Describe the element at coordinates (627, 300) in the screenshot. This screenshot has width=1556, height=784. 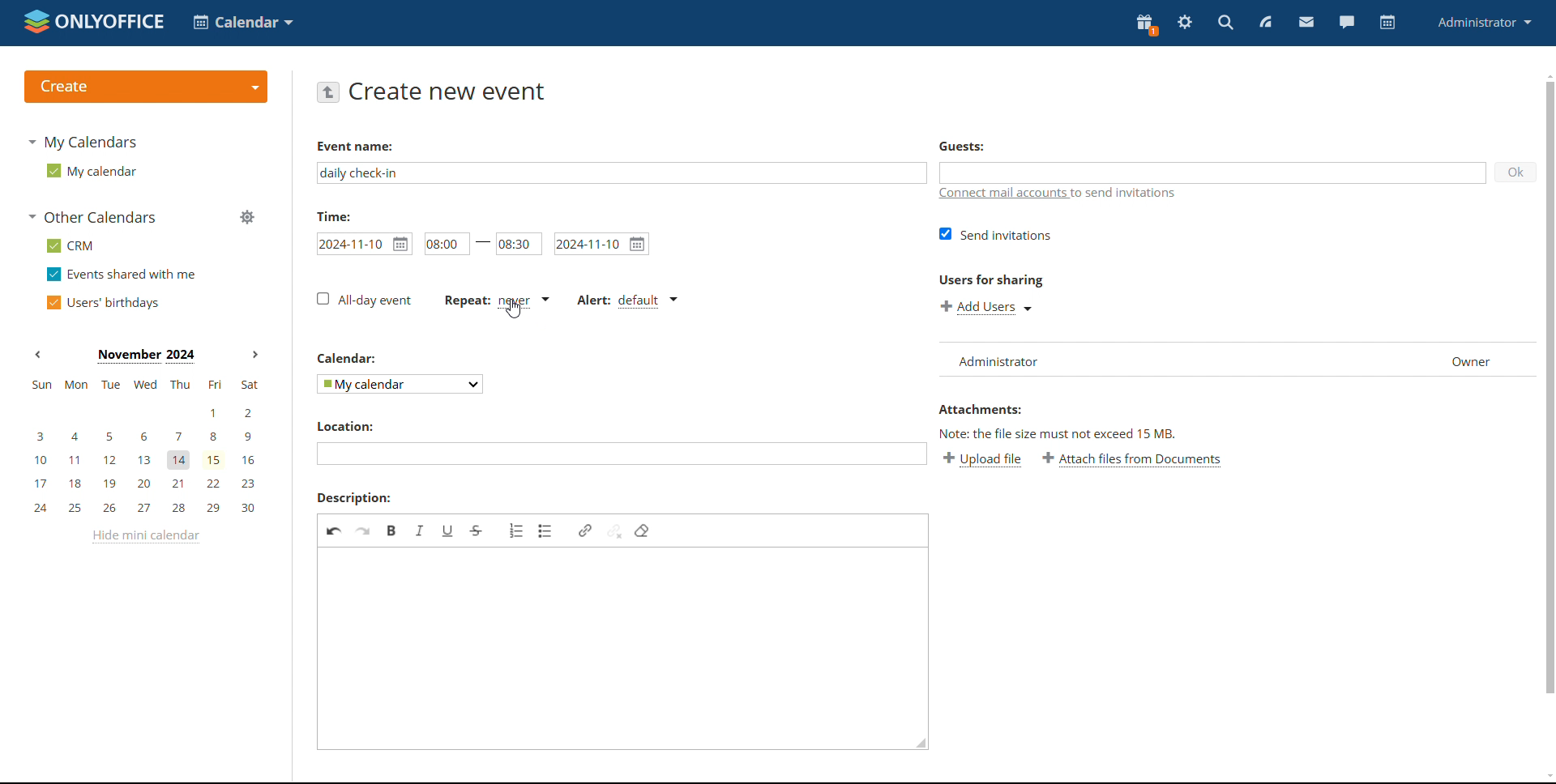
I see `alert type` at that location.